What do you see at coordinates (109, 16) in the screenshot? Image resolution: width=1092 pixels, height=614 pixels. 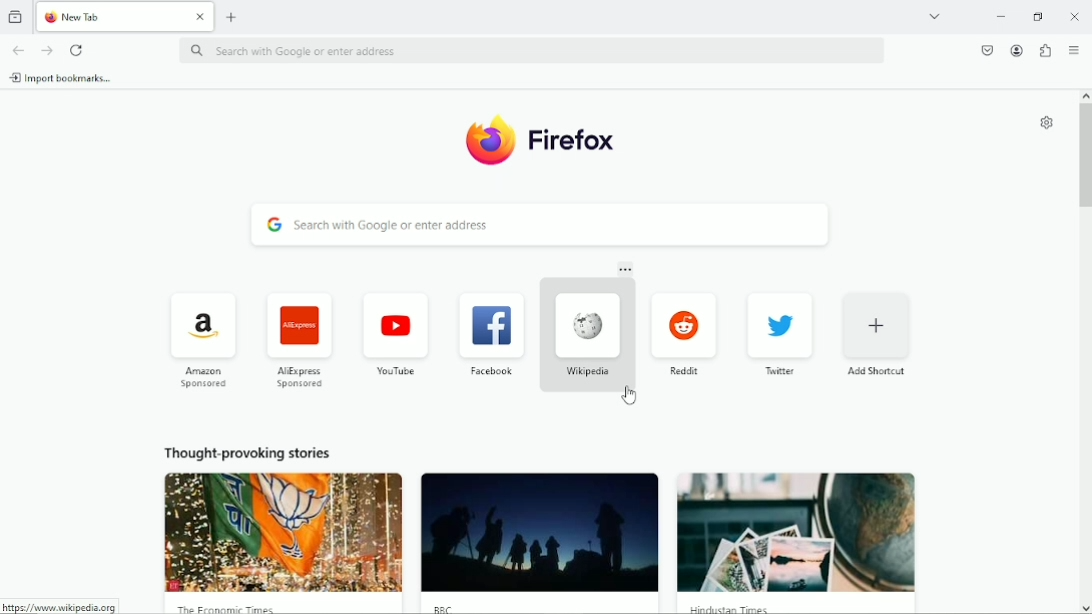 I see `New Tab` at bounding box center [109, 16].